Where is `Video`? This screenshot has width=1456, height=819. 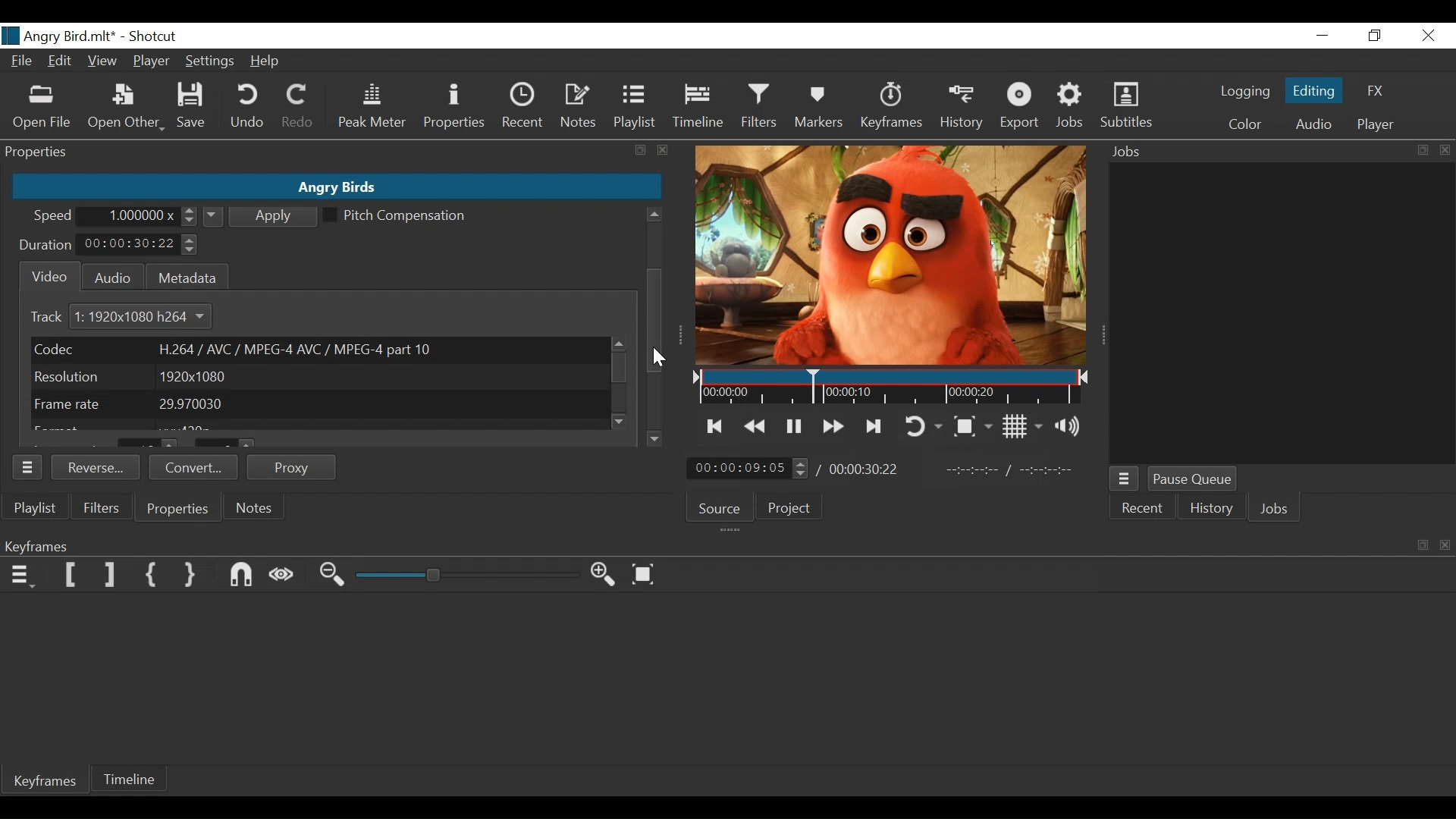 Video is located at coordinates (46, 277).